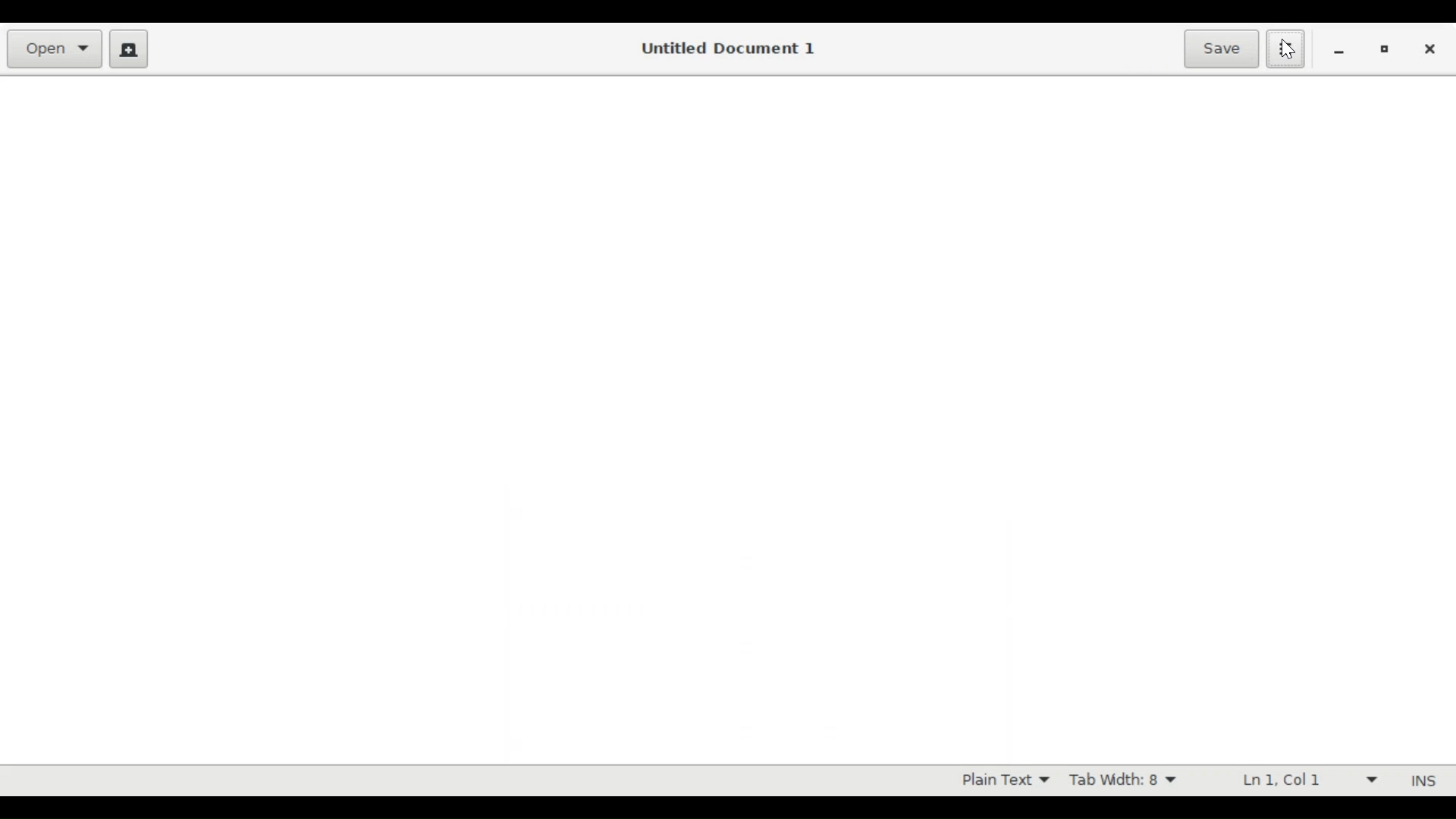 The image size is (1456, 819). What do you see at coordinates (1338, 52) in the screenshot?
I see `minimize` at bounding box center [1338, 52].